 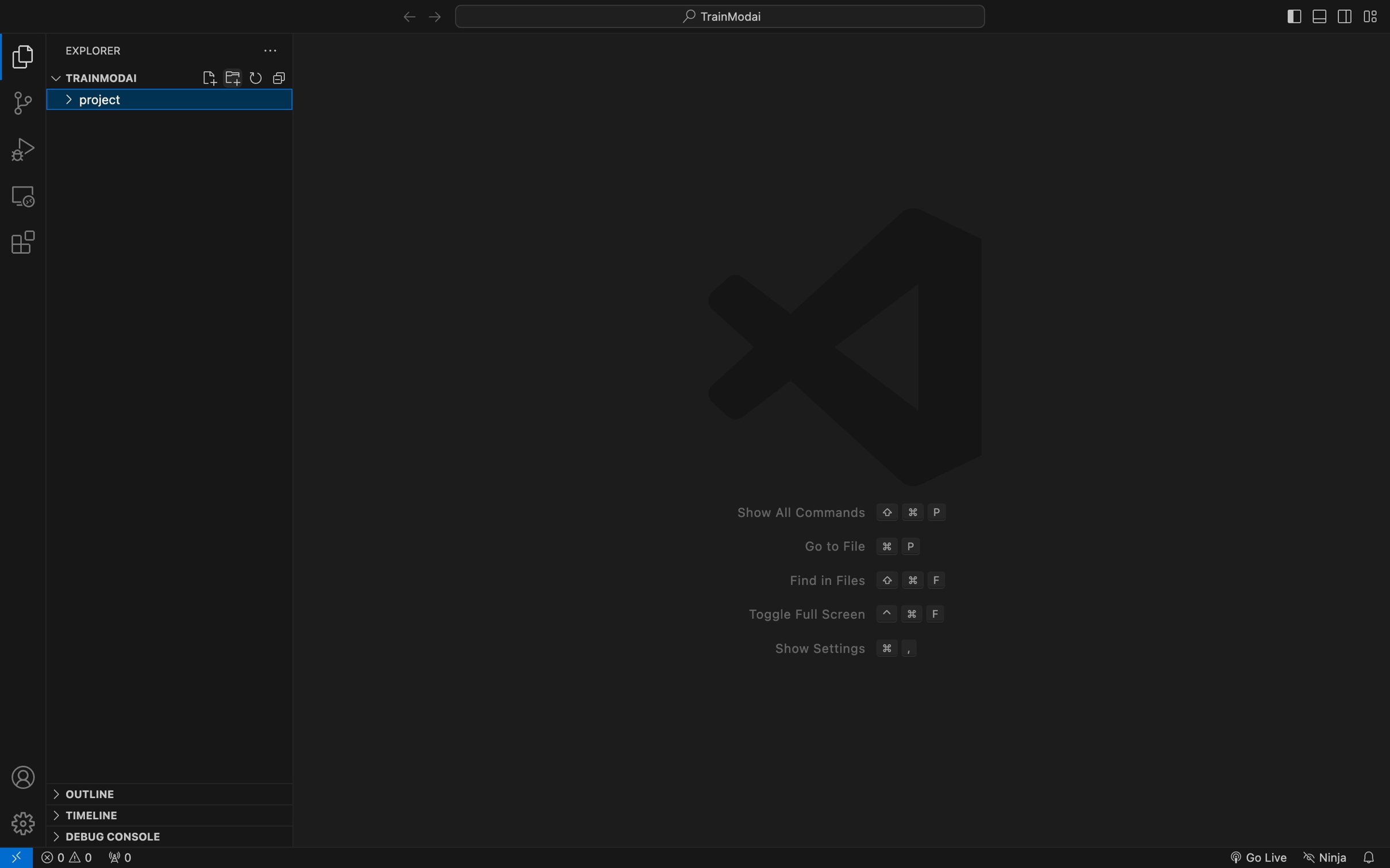 What do you see at coordinates (234, 77) in the screenshot?
I see `create folder` at bounding box center [234, 77].